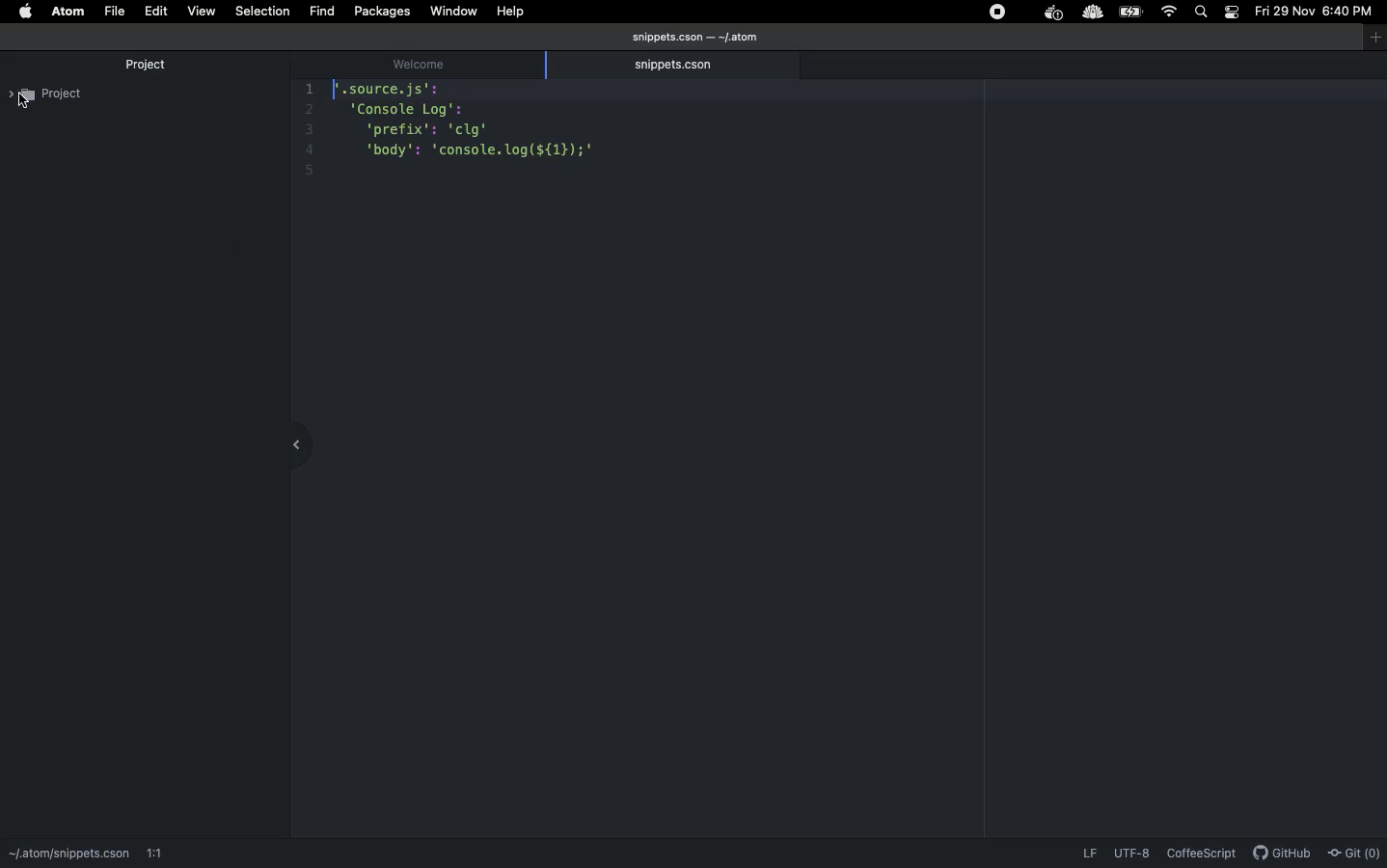 The height and width of the screenshot is (868, 1387). Describe the element at coordinates (68, 854) in the screenshot. I see `path` at that location.